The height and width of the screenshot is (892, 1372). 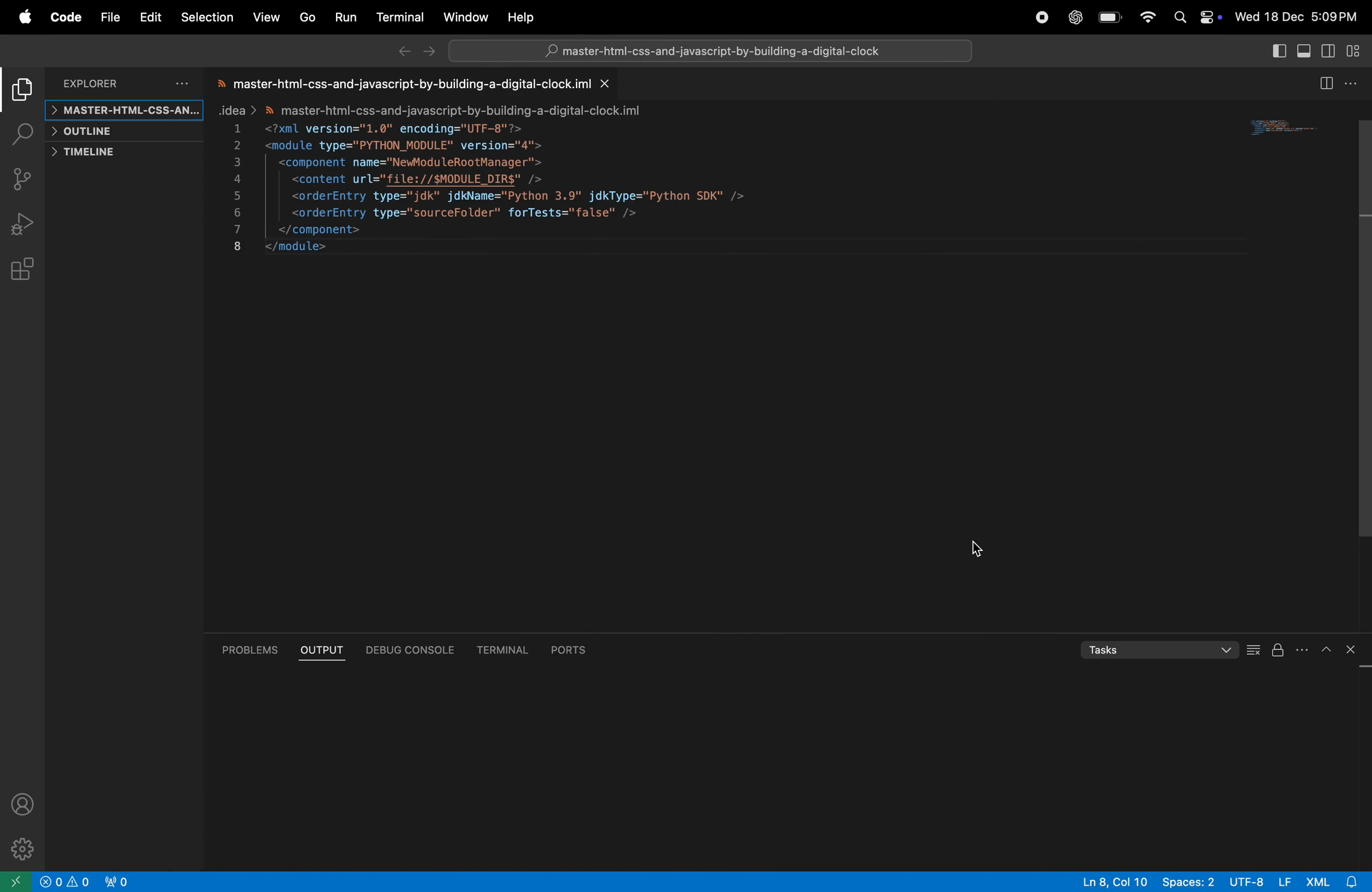 What do you see at coordinates (63, 18) in the screenshot?
I see `code` at bounding box center [63, 18].